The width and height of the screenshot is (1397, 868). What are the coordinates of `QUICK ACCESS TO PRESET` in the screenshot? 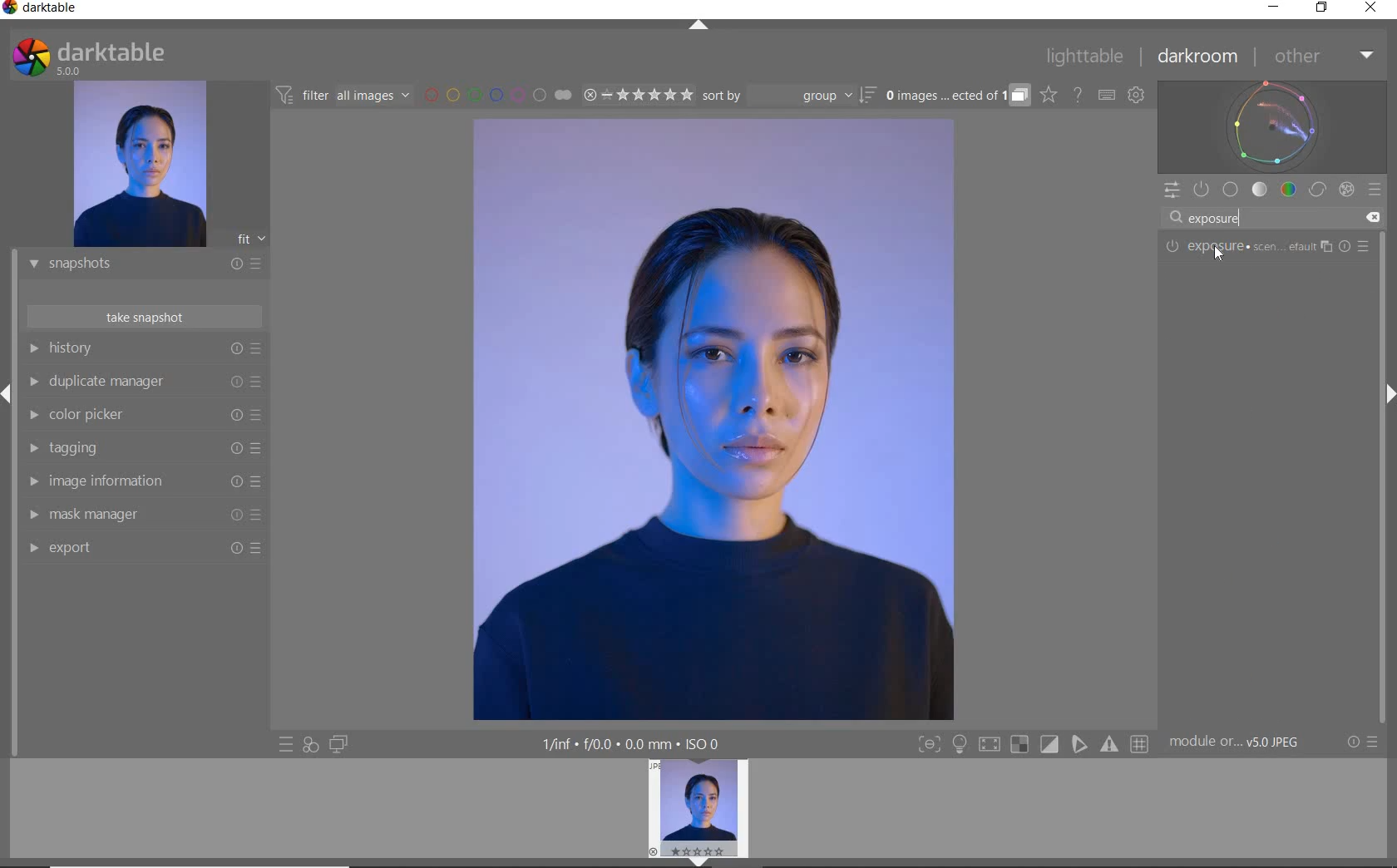 It's located at (287, 746).